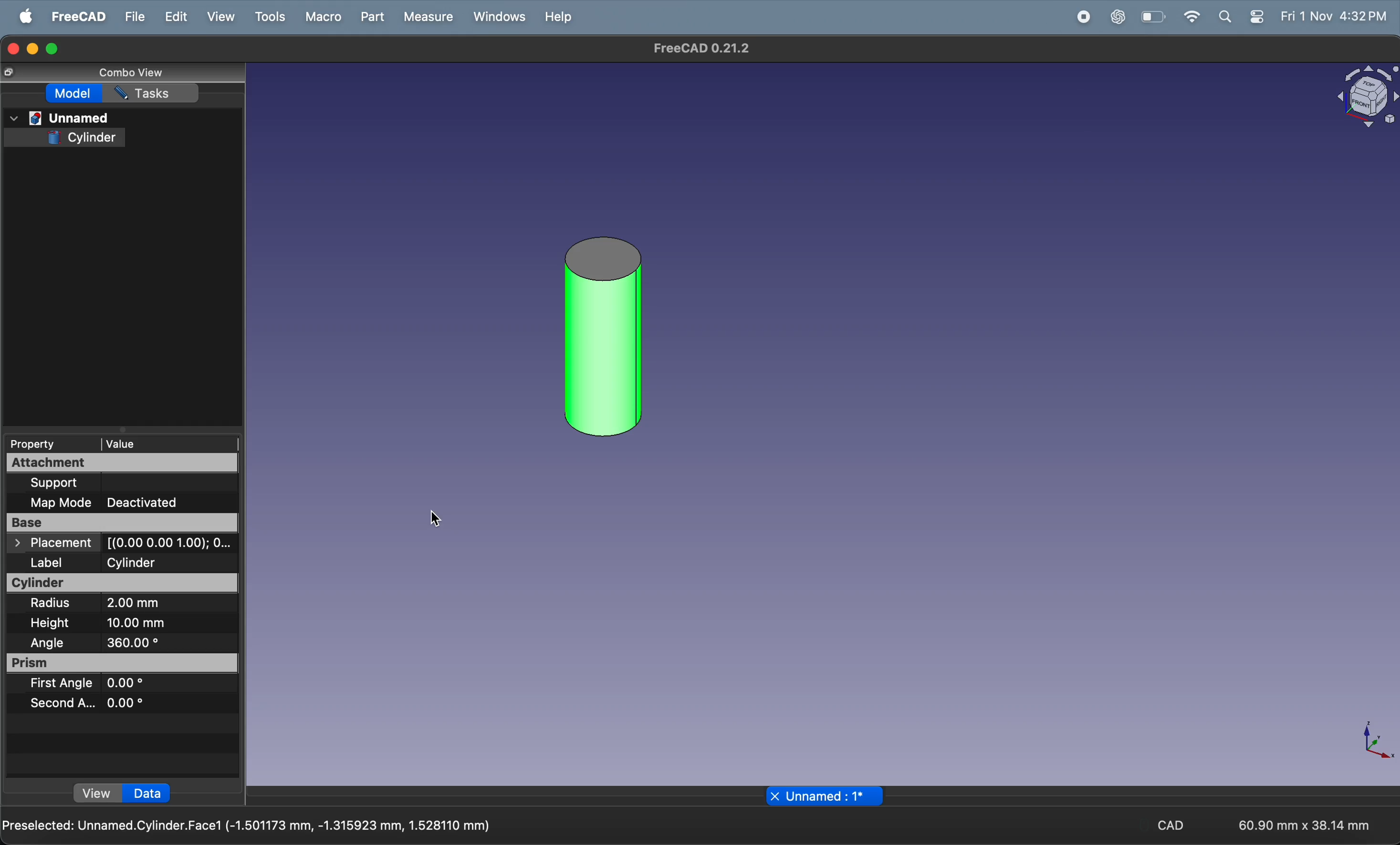  I want to click on freecad, so click(74, 16).